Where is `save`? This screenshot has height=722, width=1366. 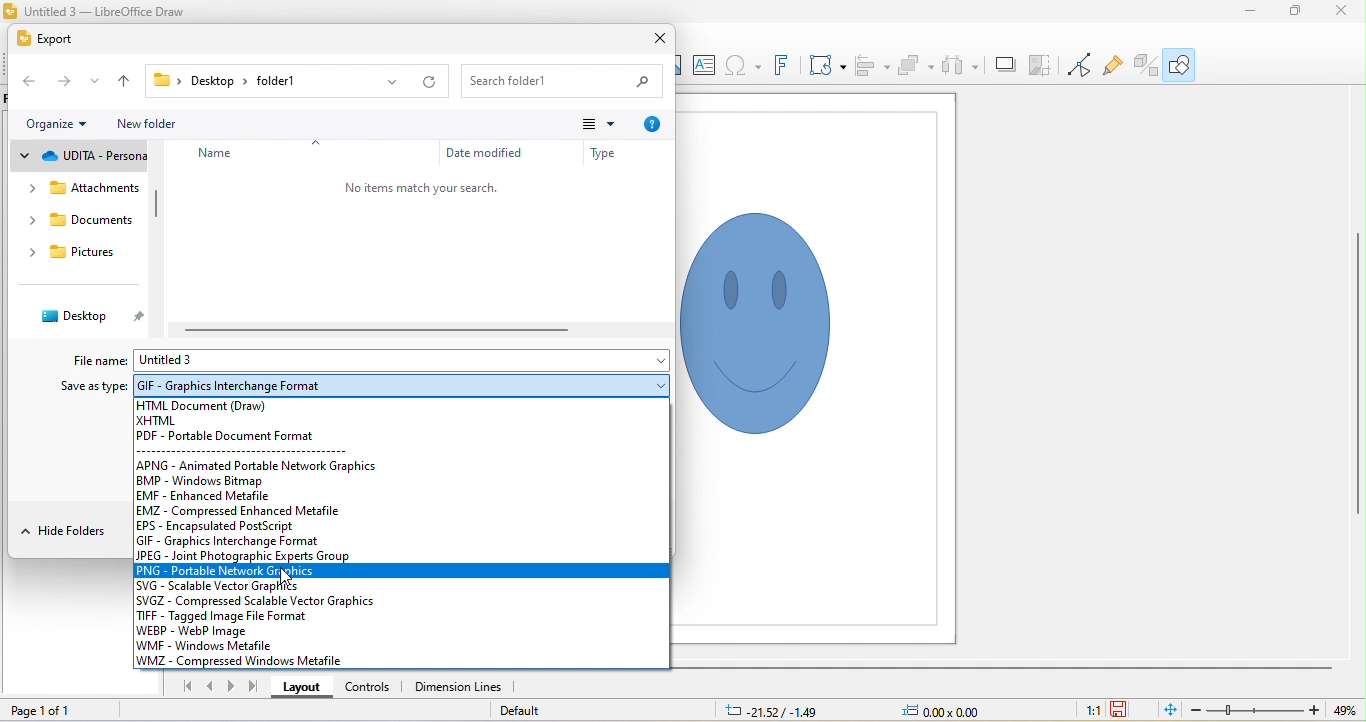 save is located at coordinates (1121, 709).